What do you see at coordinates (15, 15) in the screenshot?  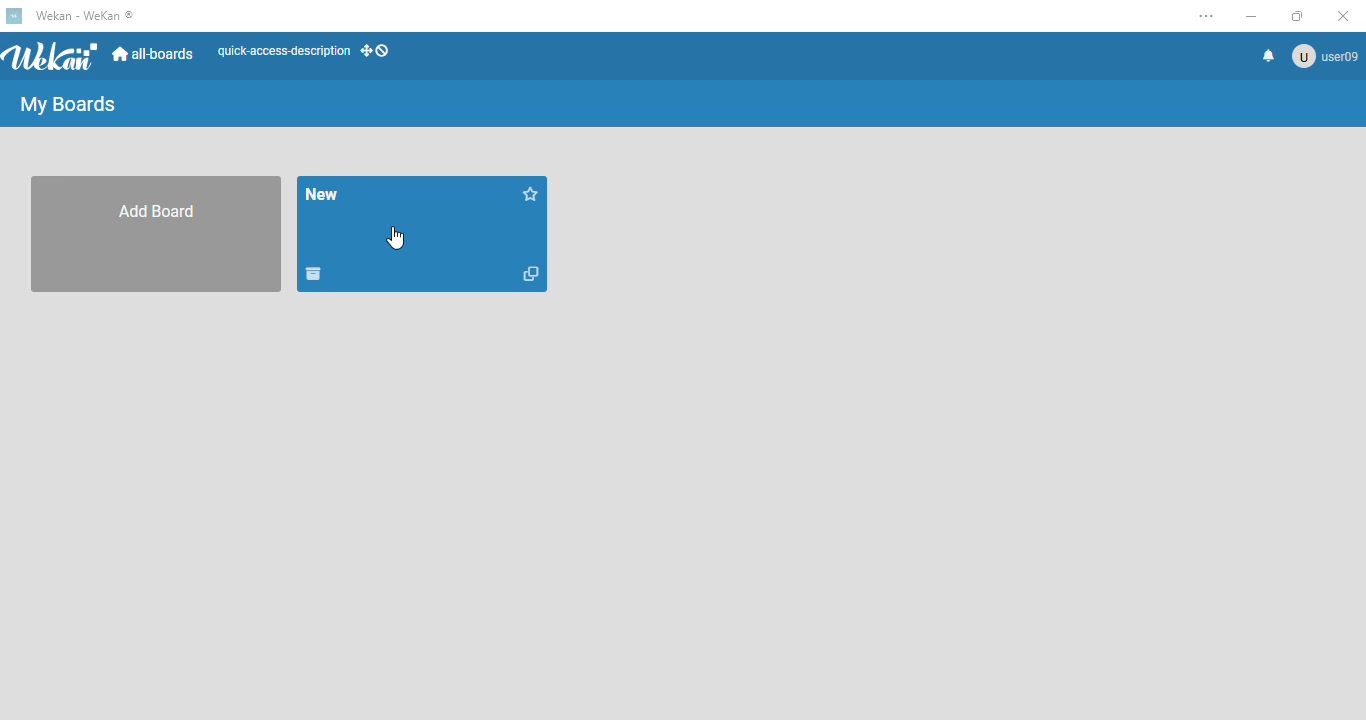 I see `logo` at bounding box center [15, 15].